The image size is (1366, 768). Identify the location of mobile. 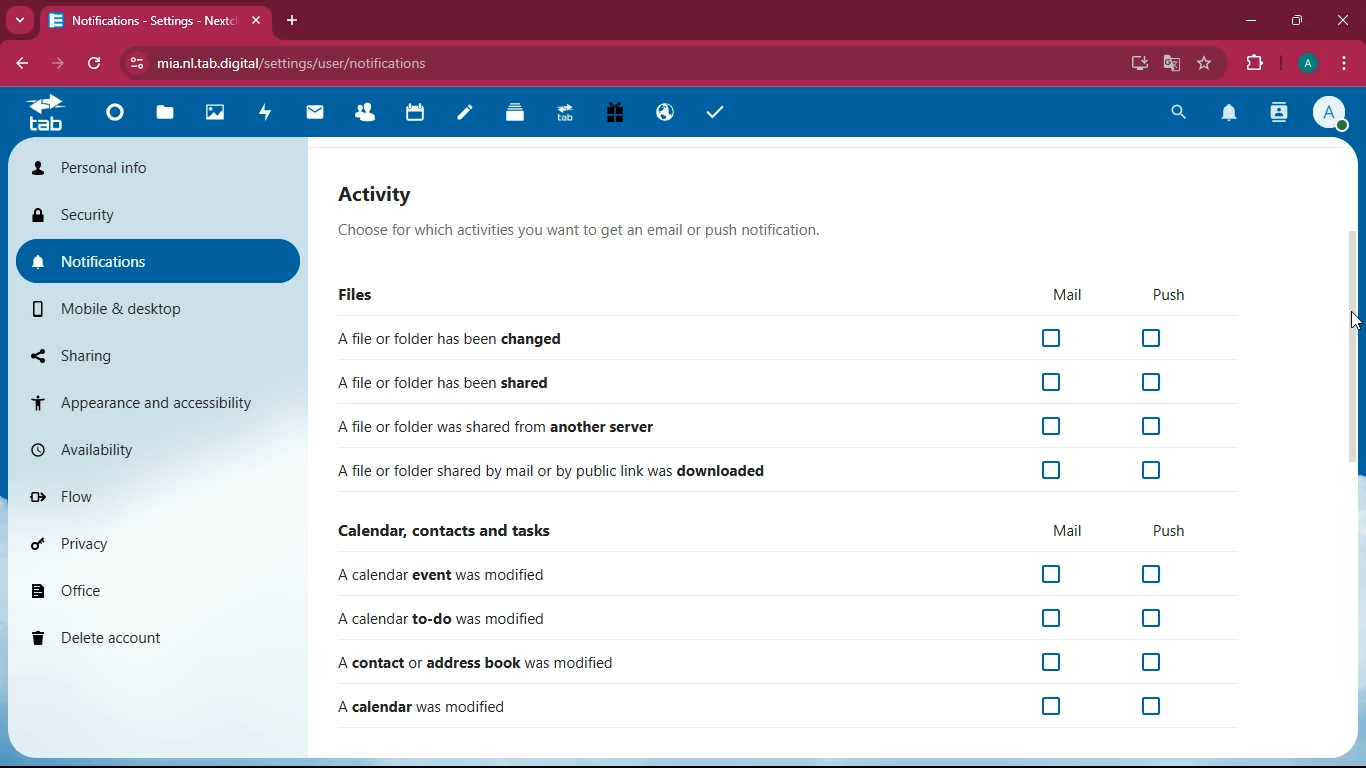
(157, 312).